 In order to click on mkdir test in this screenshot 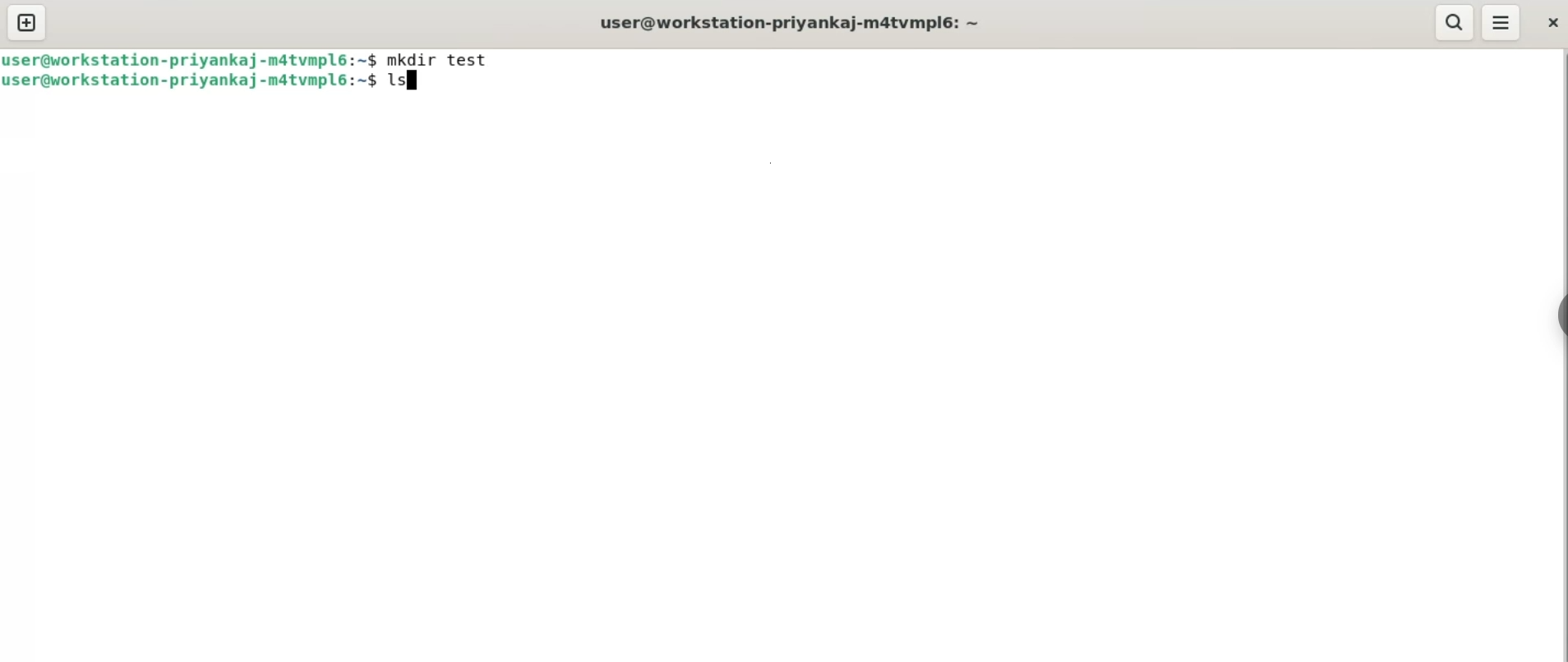, I will do `click(445, 60)`.